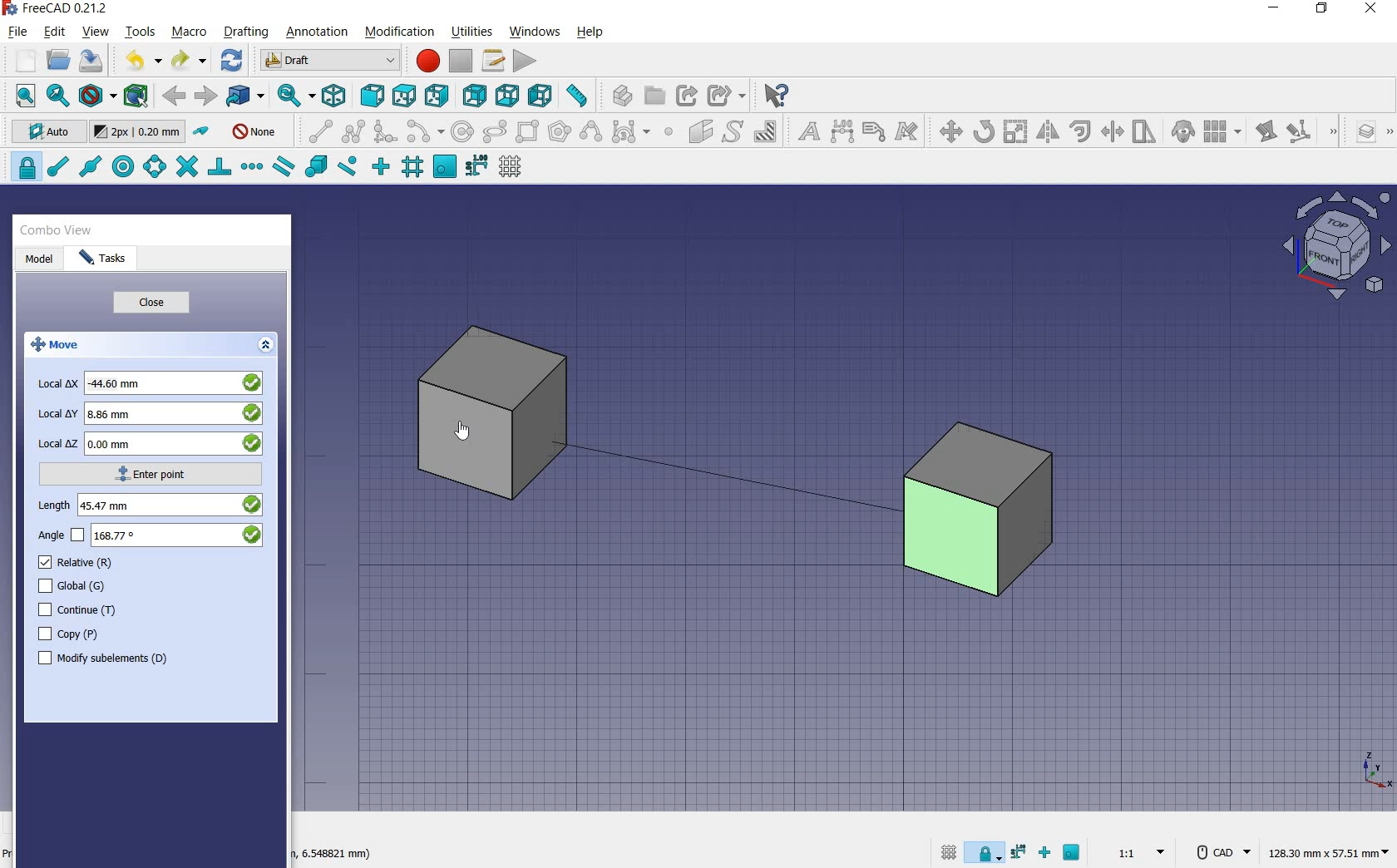  Describe the element at coordinates (59, 167) in the screenshot. I see `snap endpoint` at that location.